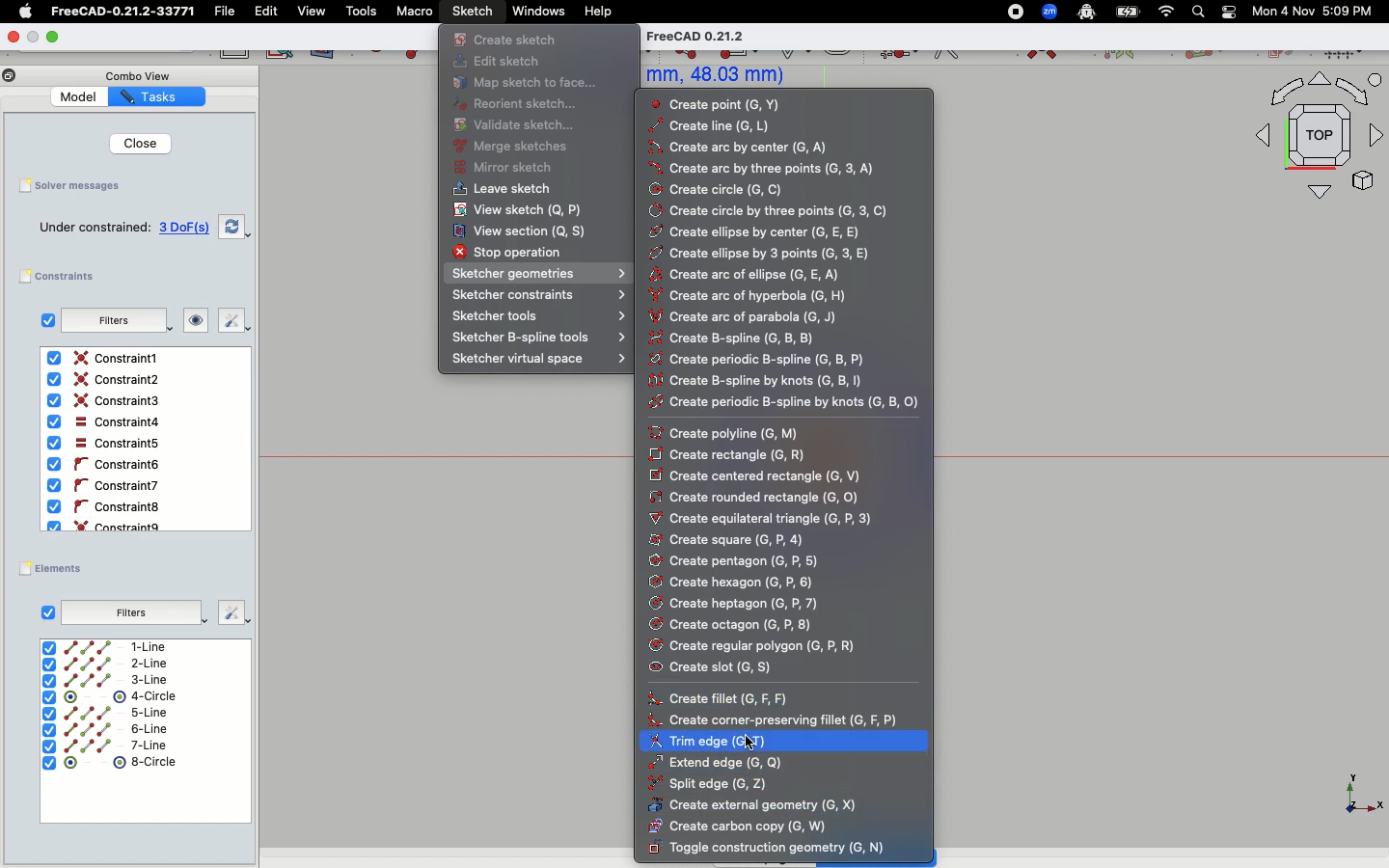  Describe the element at coordinates (104, 730) in the screenshot. I see `6-line` at that location.